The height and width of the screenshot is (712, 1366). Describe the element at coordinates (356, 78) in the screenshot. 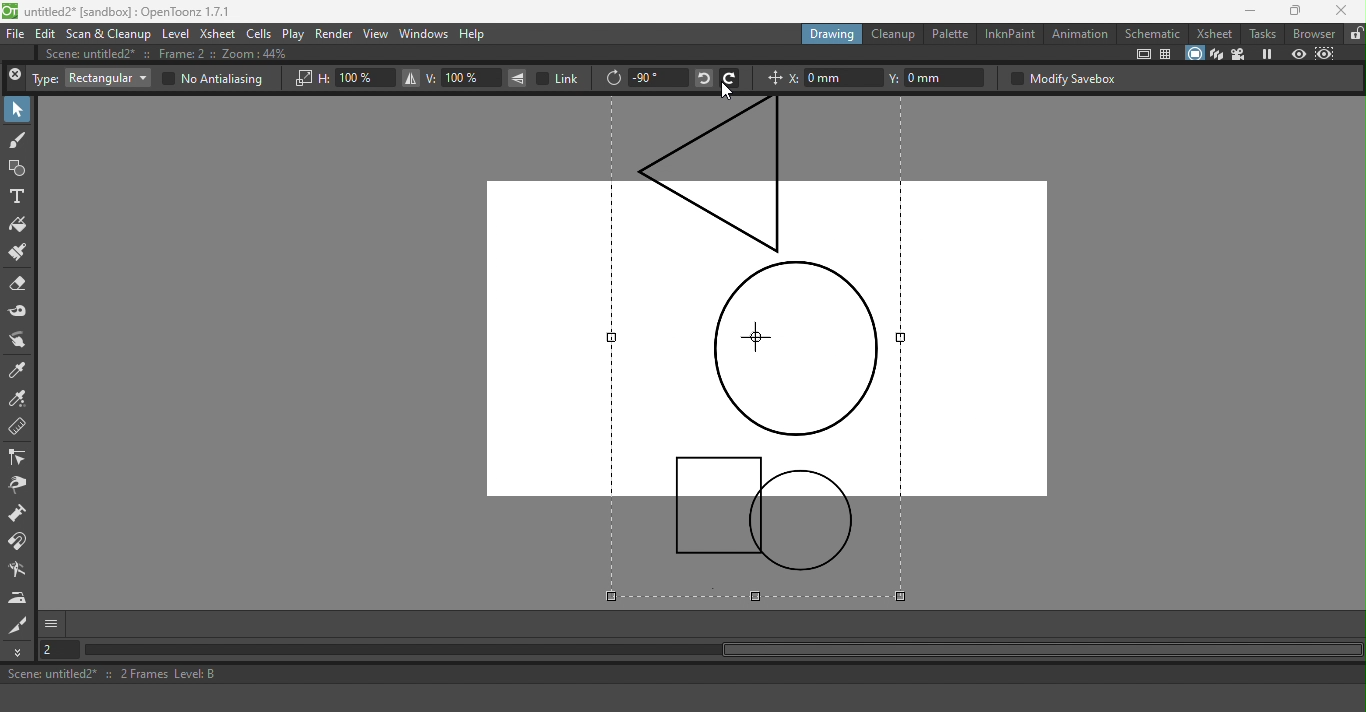

I see `H: 0%` at that location.